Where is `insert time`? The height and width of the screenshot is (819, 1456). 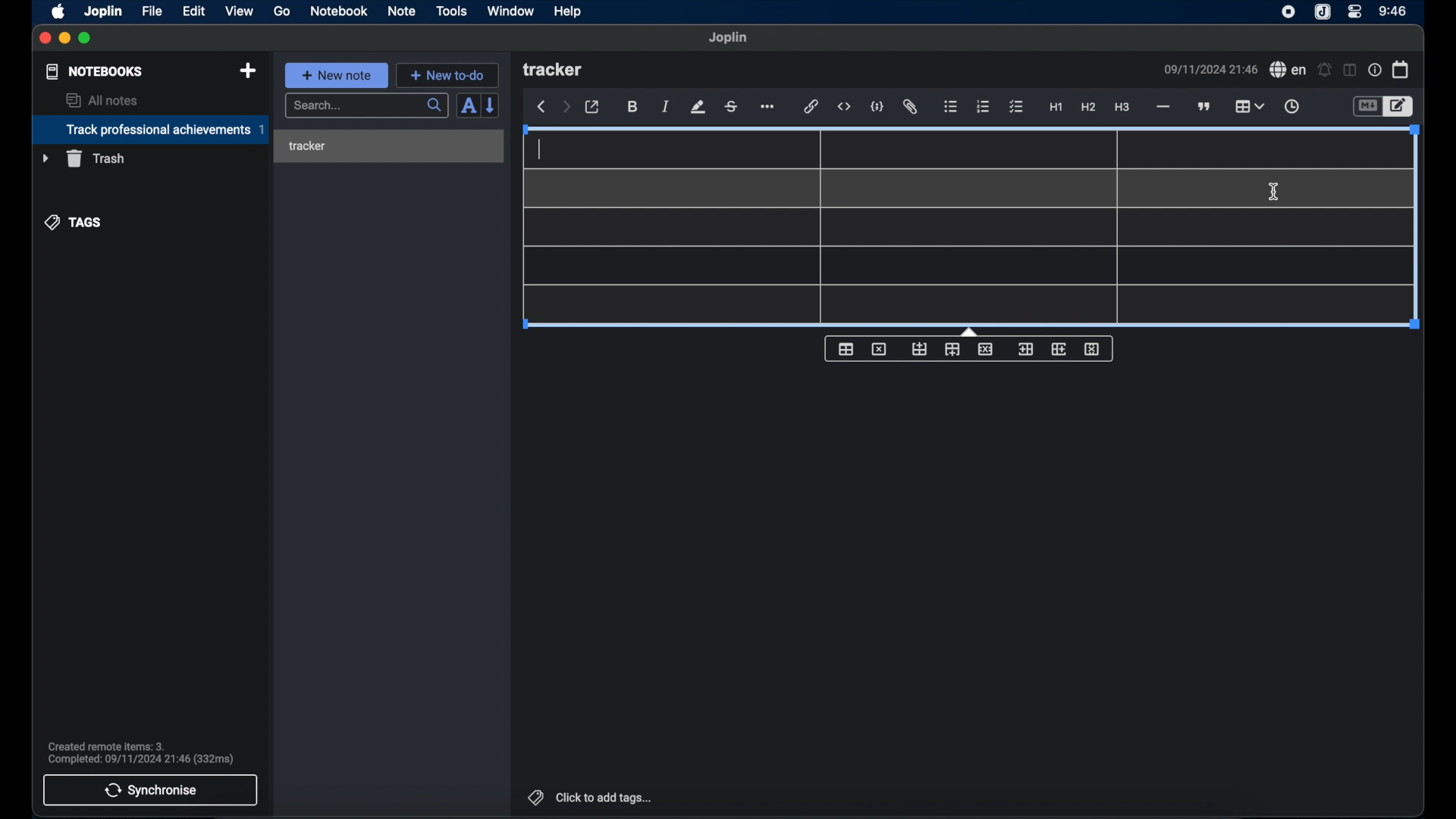
insert time is located at coordinates (1291, 107).